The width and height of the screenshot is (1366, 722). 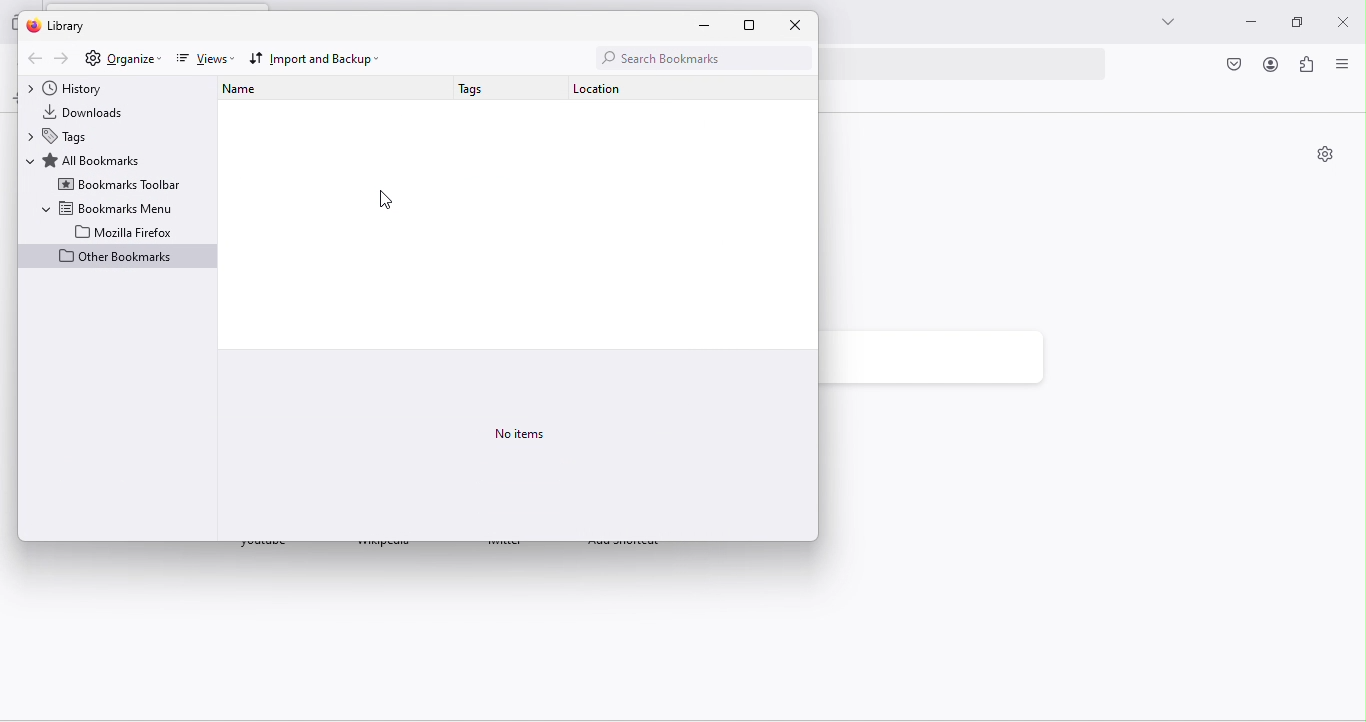 I want to click on settings, so click(x=1325, y=156).